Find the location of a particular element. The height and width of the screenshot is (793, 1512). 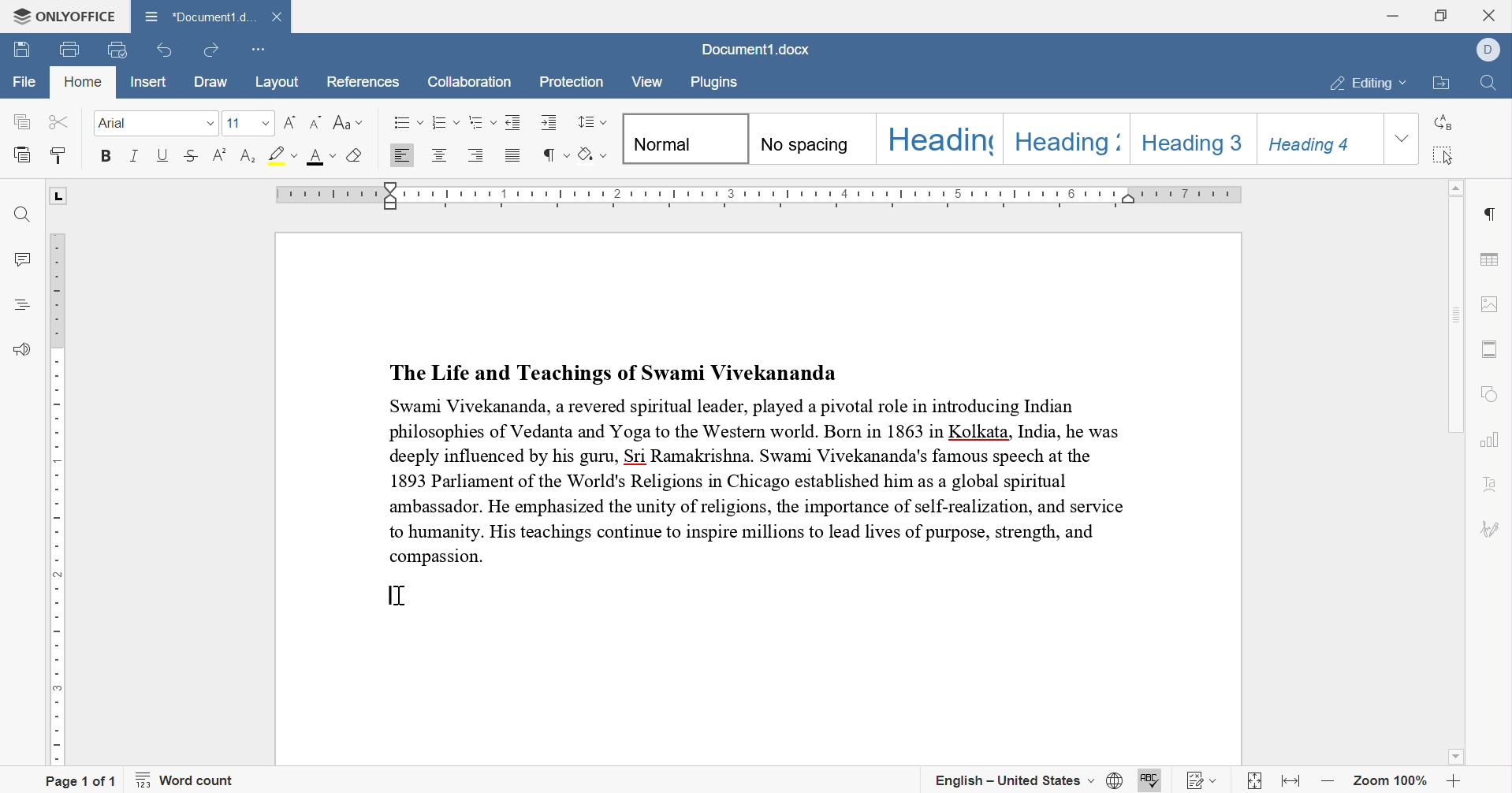

bold is located at coordinates (104, 155).